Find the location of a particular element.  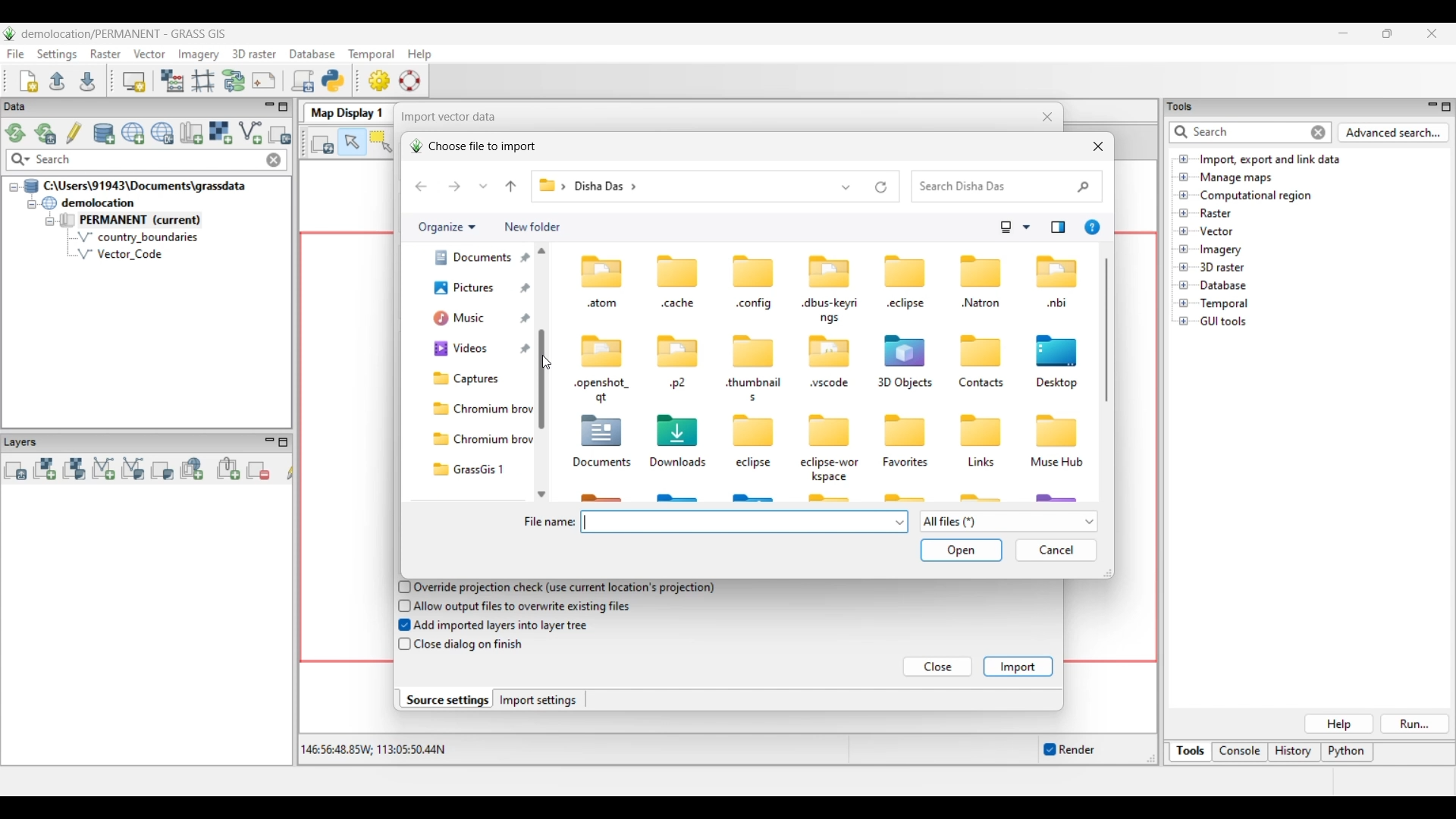

Save and open inputs is located at coordinates (961, 551).